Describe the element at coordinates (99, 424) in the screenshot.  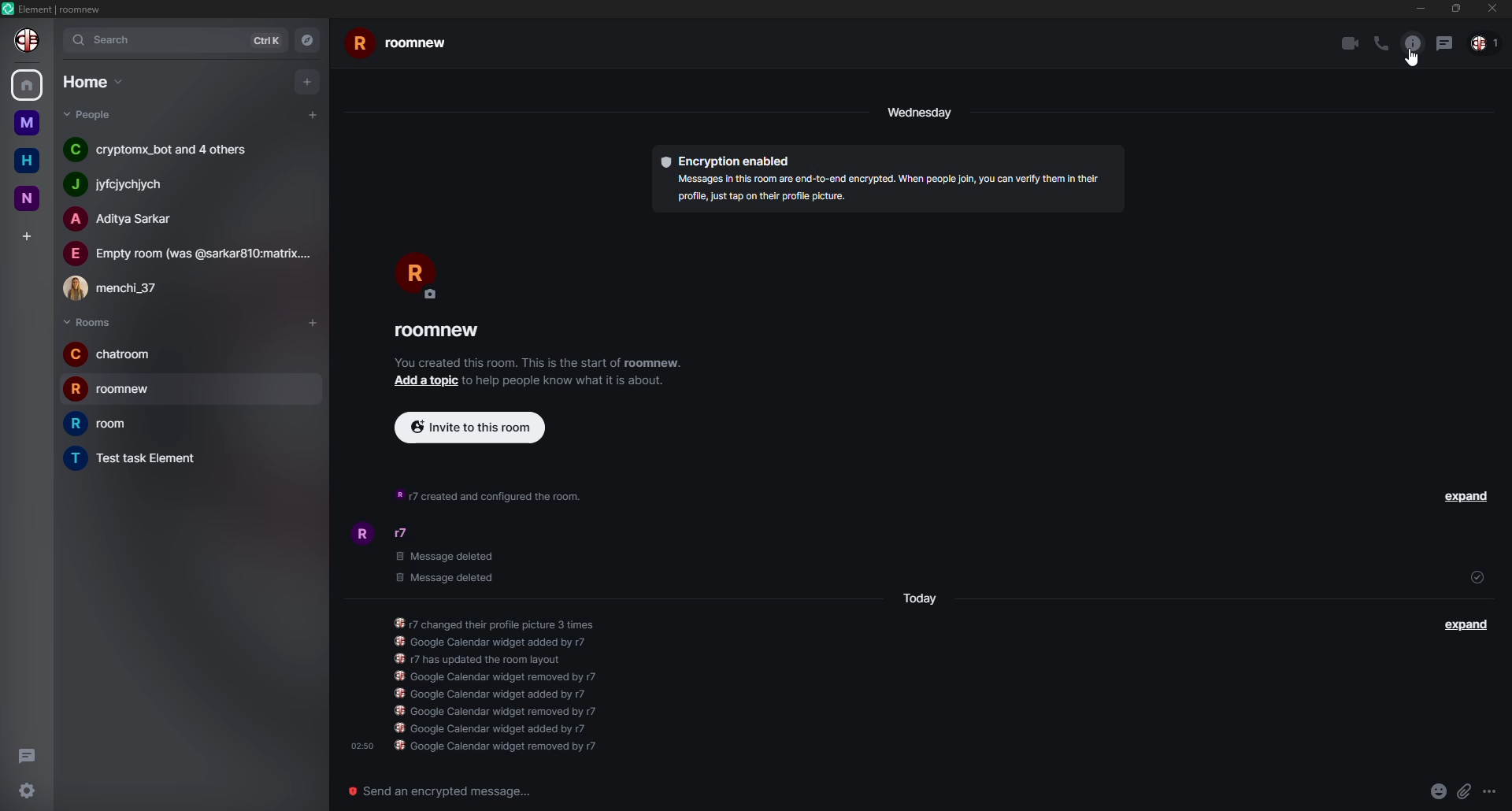
I see `room` at that location.